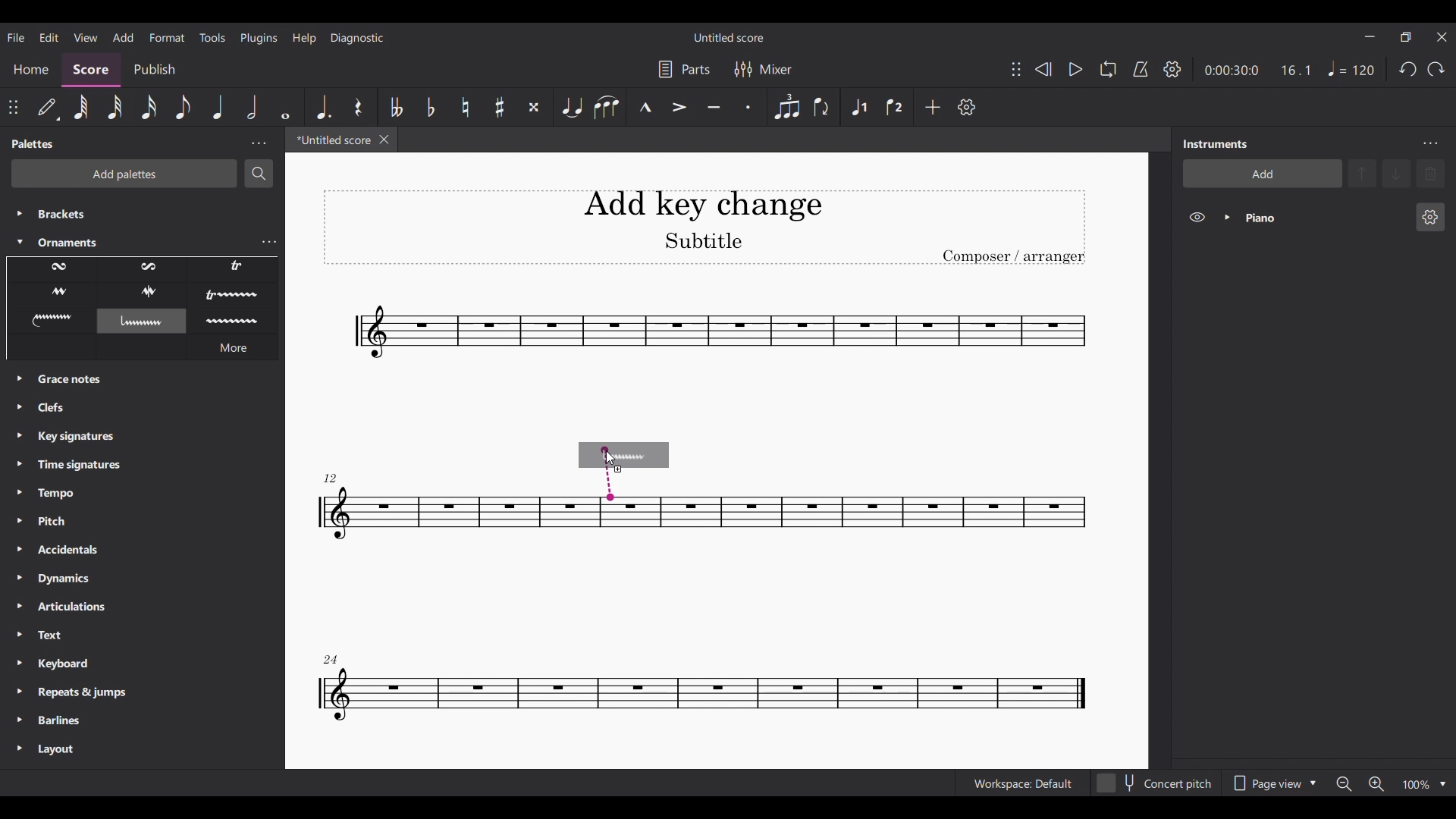 This screenshot has width=1456, height=819. What do you see at coordinates (233, 347) in the screenshot?
I see `More ornament options` at bounding box center [233, 347].